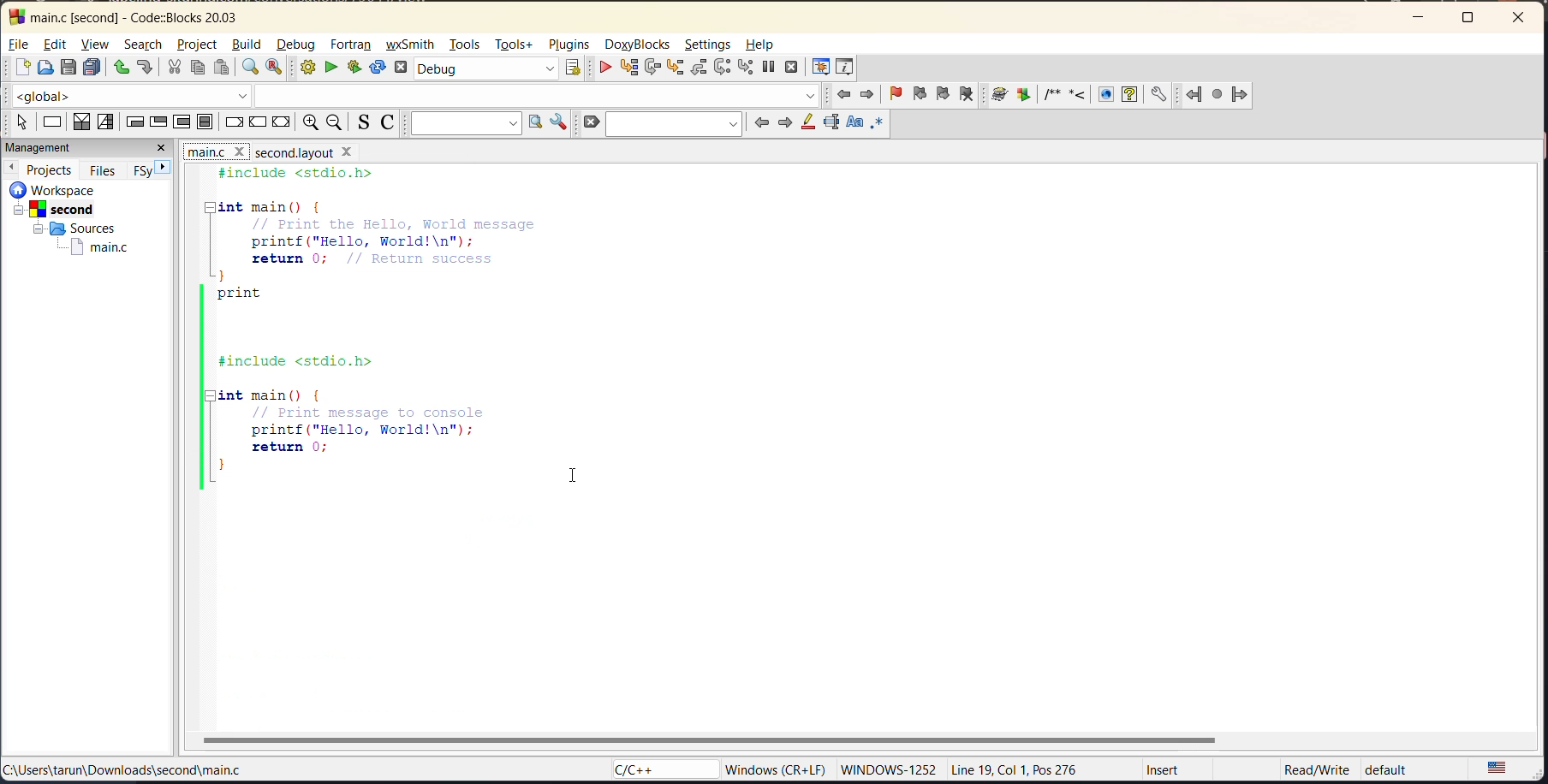 The width and height of the screenshot is (1548, 784). What do you see at coordinates (767, 68) in the screenshot?
I see `break debugger` at bounding box center [767, 68].